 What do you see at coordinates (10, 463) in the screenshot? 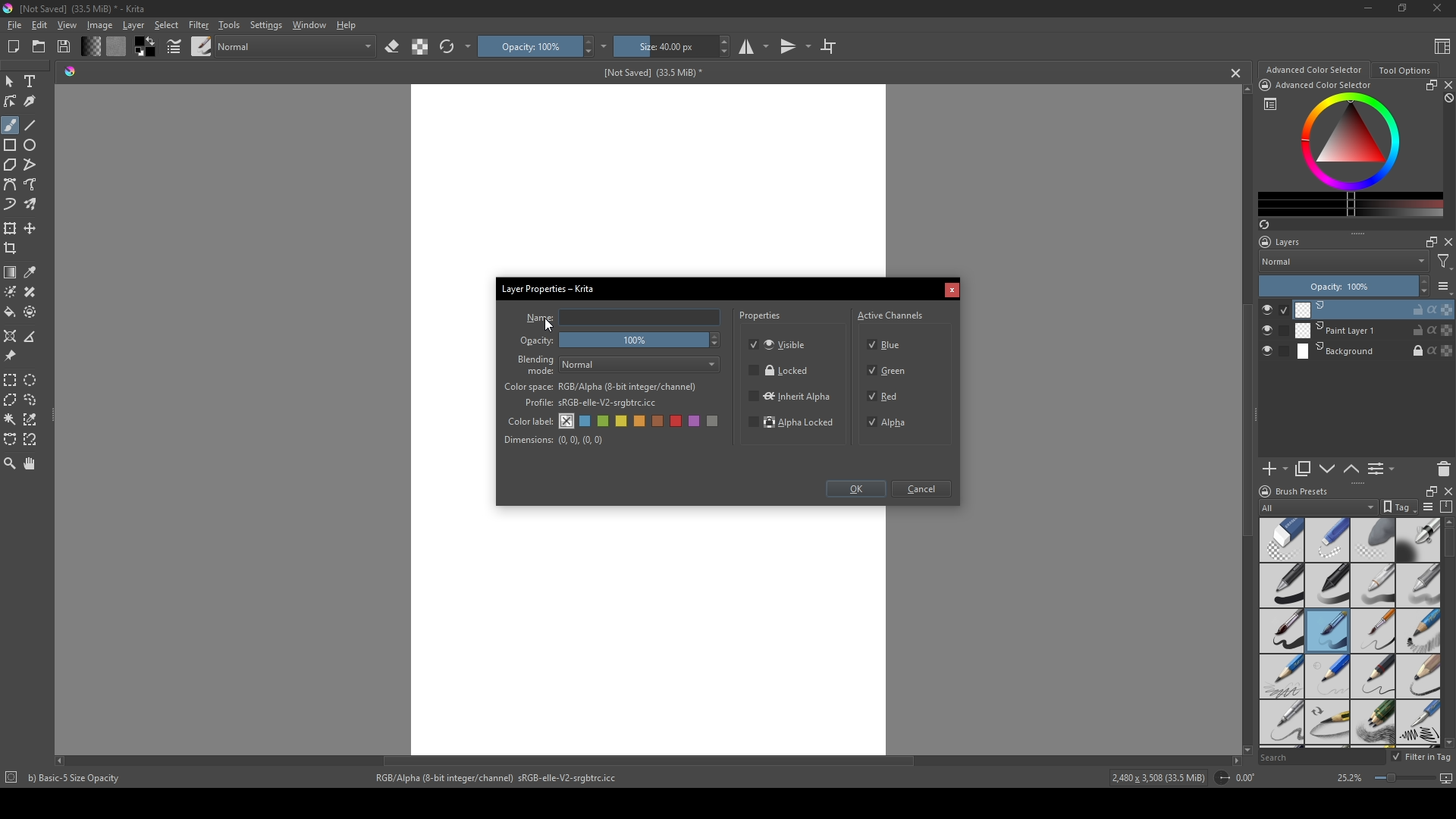
I see `zoom` at bounding box center [10, 463].